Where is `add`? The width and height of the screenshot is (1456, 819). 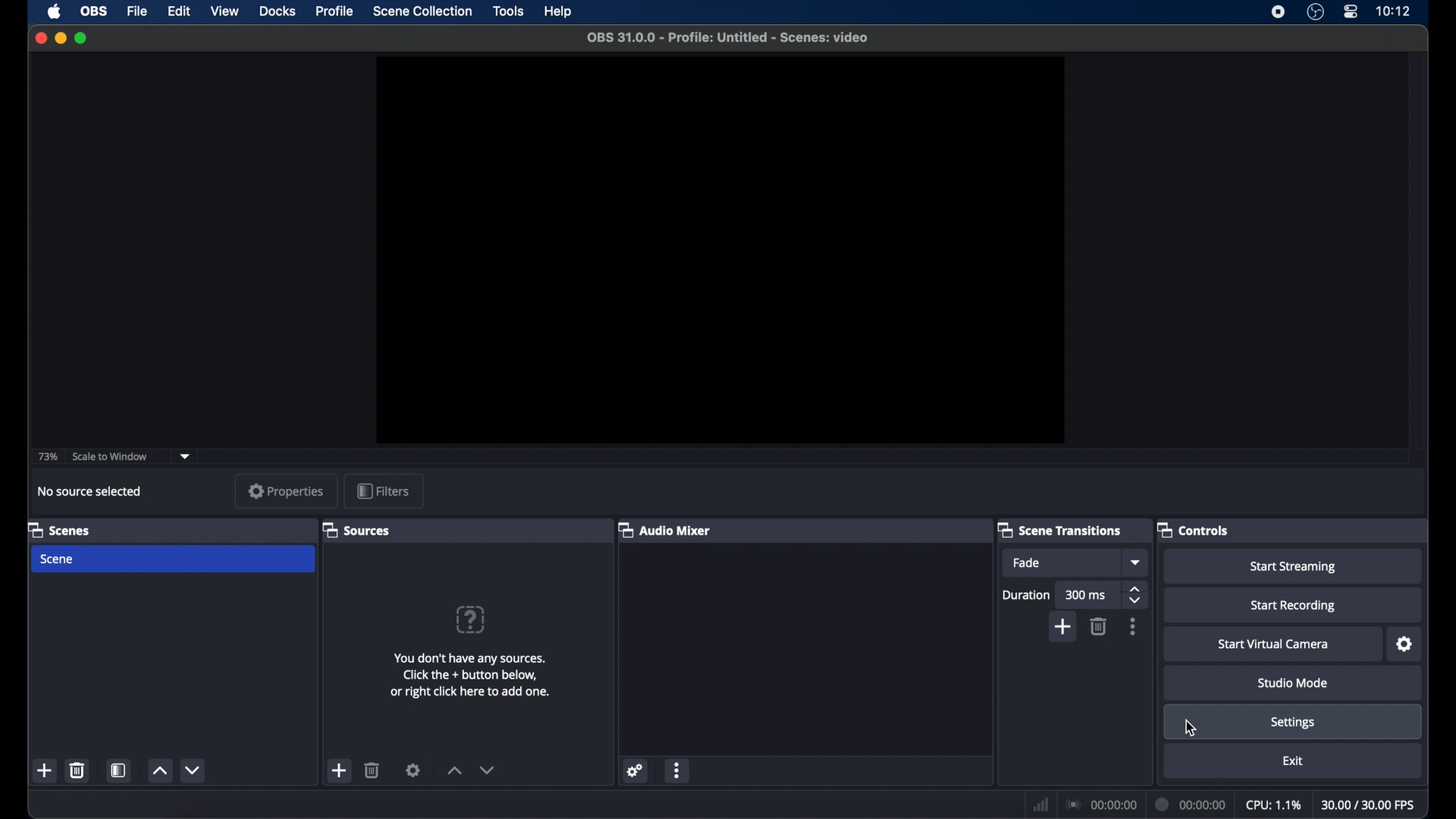 add is located at coordinates (340, 770).